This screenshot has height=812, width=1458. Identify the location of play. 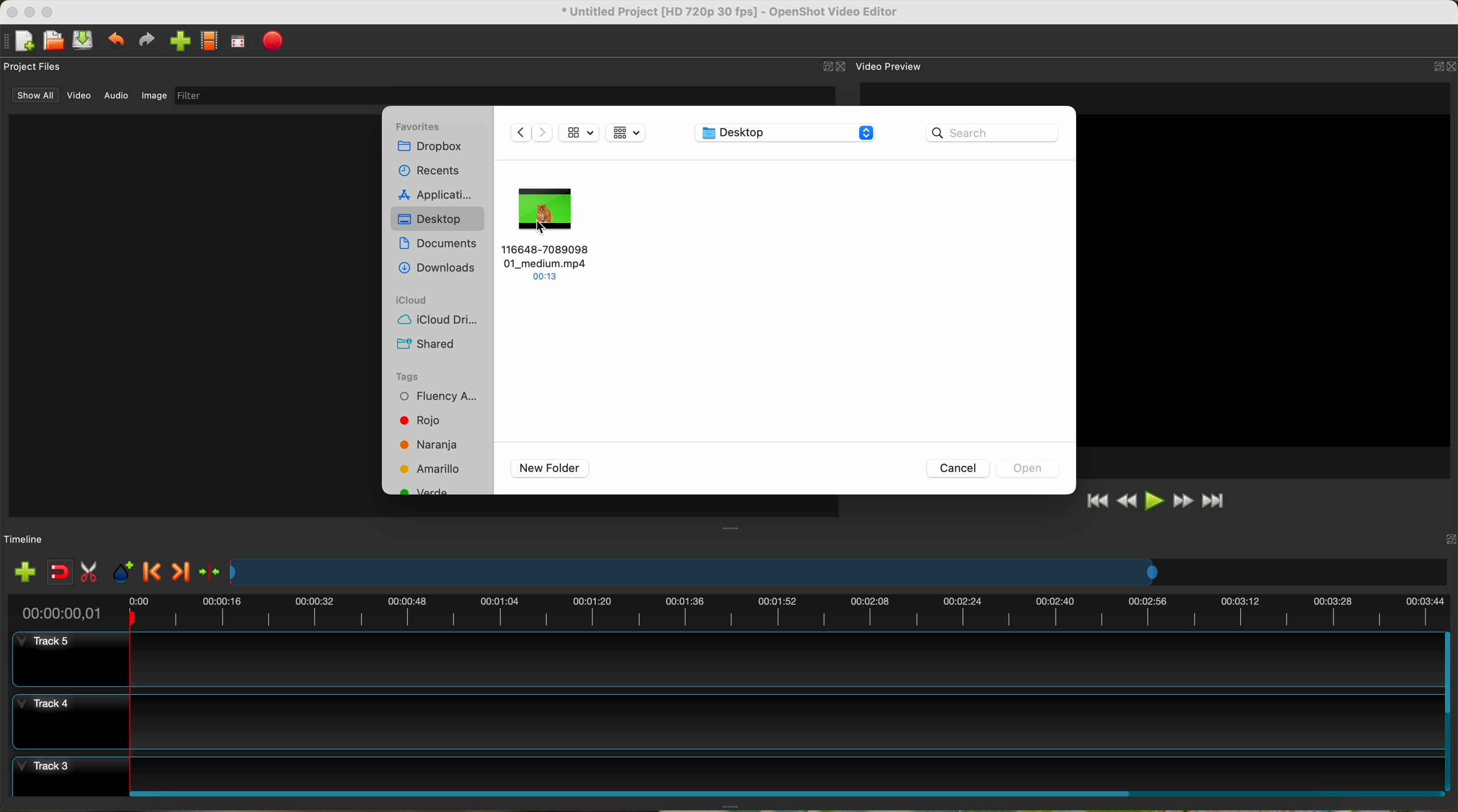
(1153, 500).